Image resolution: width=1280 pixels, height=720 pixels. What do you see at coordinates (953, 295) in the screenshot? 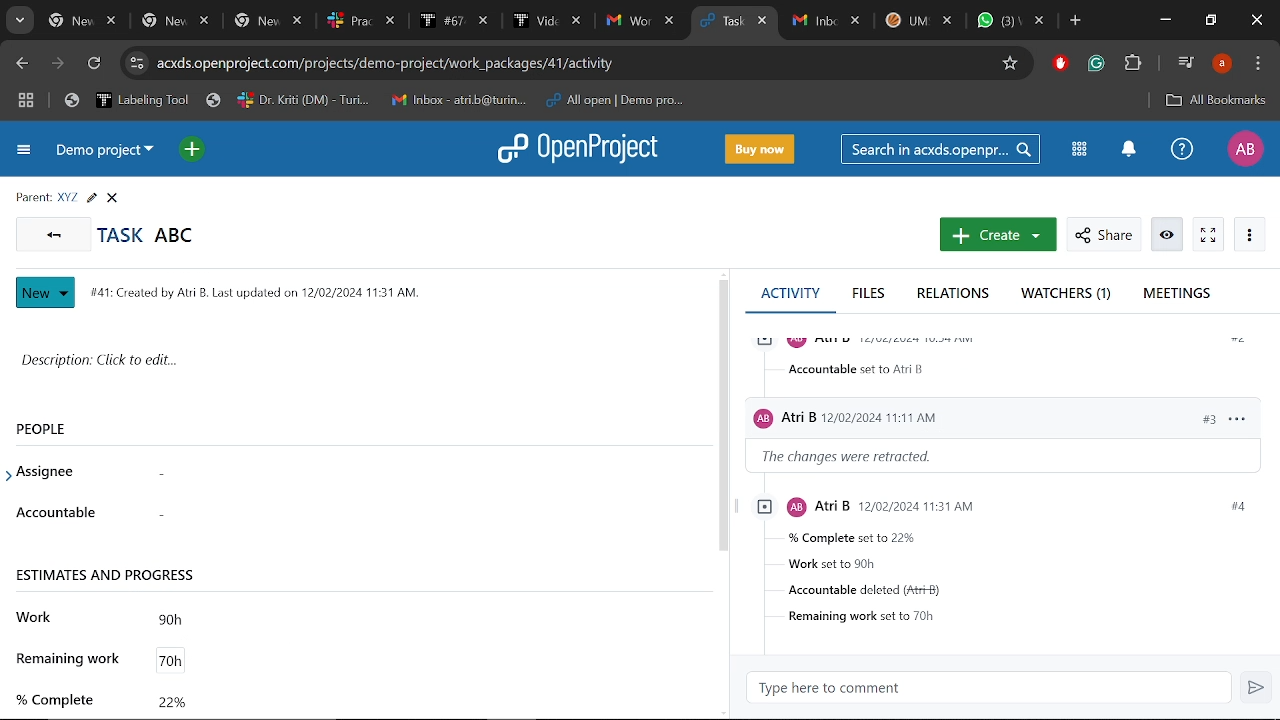
I see `Relations` at bounding box center [953, 295].